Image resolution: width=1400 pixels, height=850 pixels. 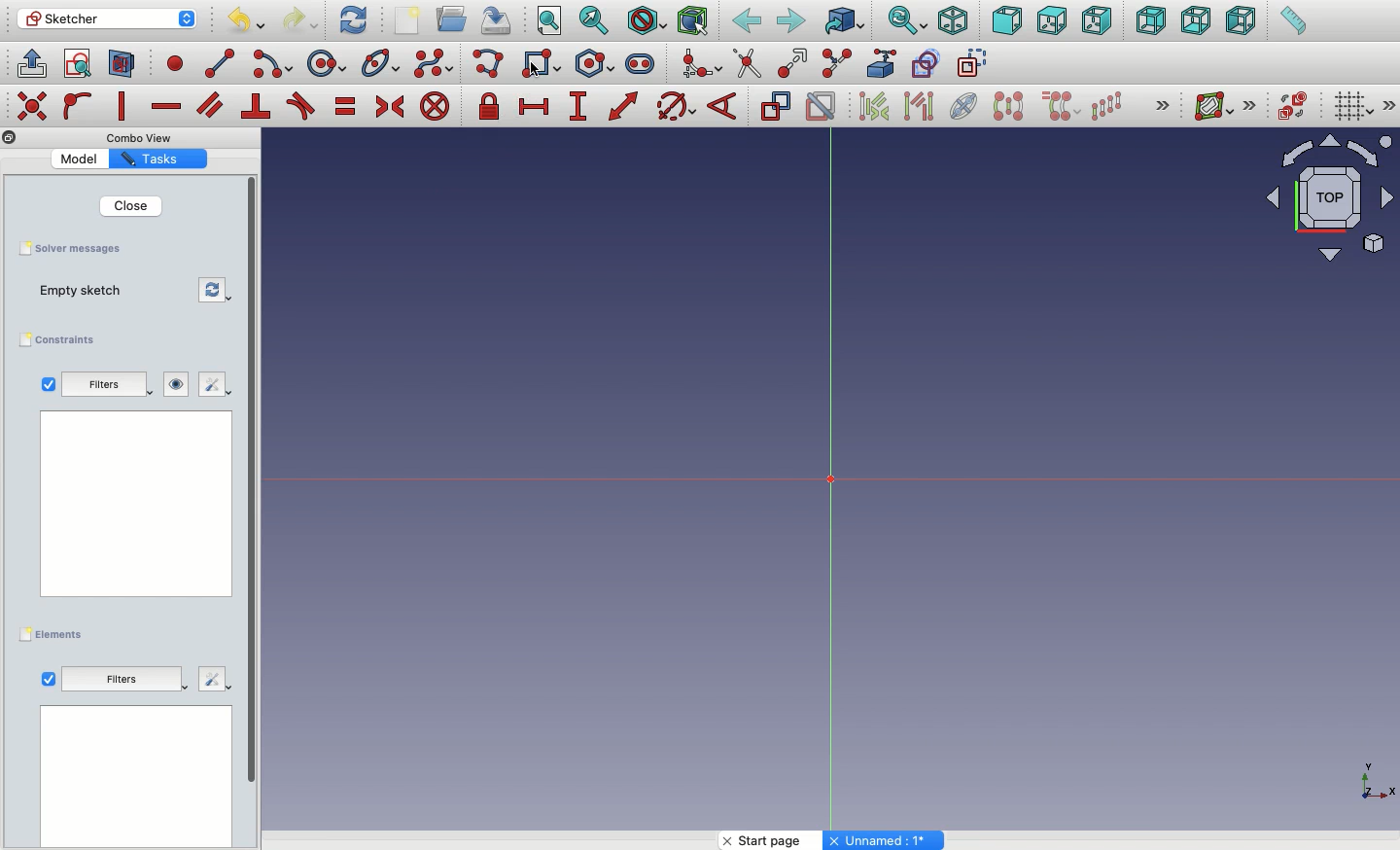 What do you see at coordinates (925, 63) in the screenshot?
I see `Carbon copy` at bounding box center [925, 63].